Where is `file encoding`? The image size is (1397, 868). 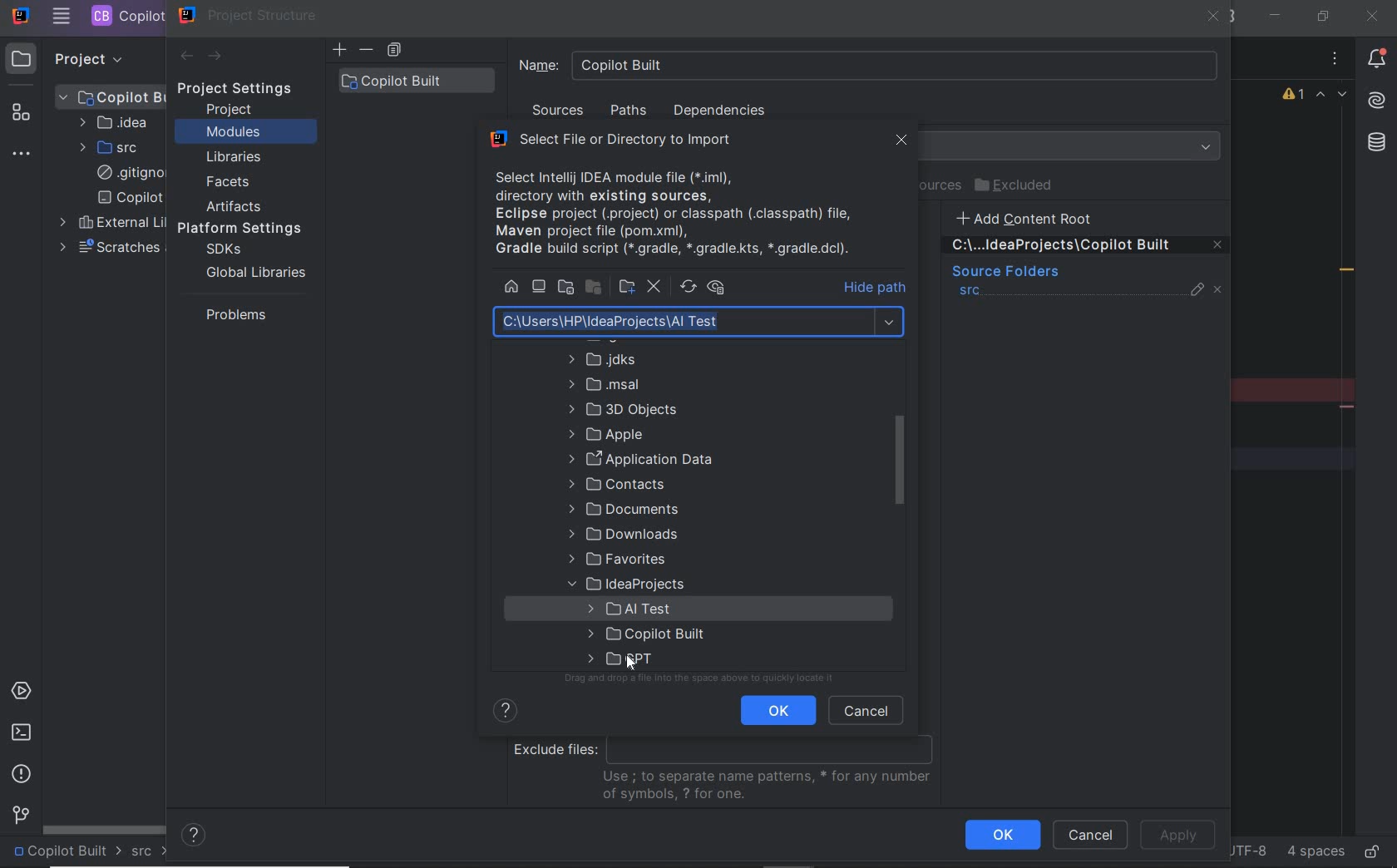 file encoding is located at coordinates (1246, 850).